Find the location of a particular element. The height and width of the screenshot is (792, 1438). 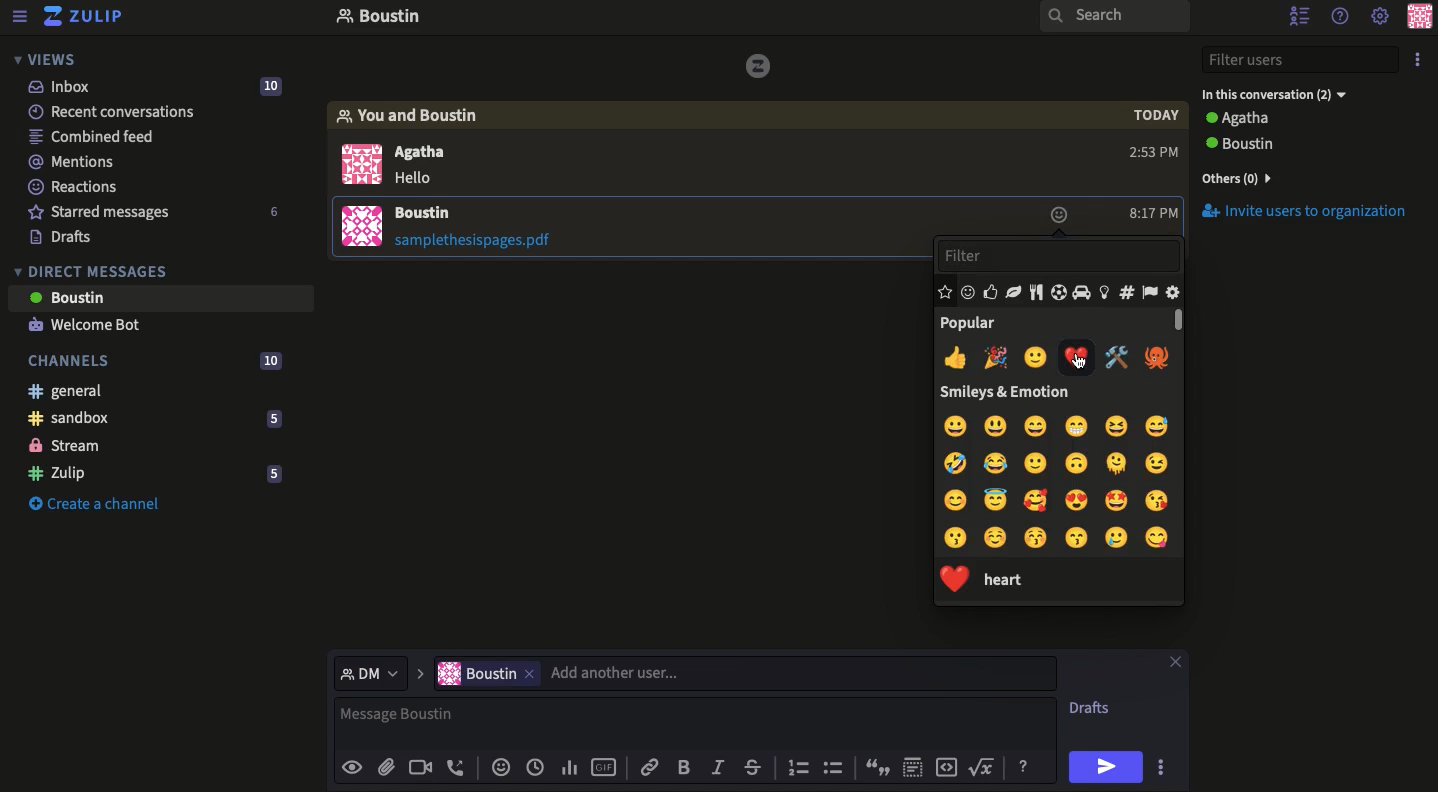

Settings is located at coordinates (1380, 17).